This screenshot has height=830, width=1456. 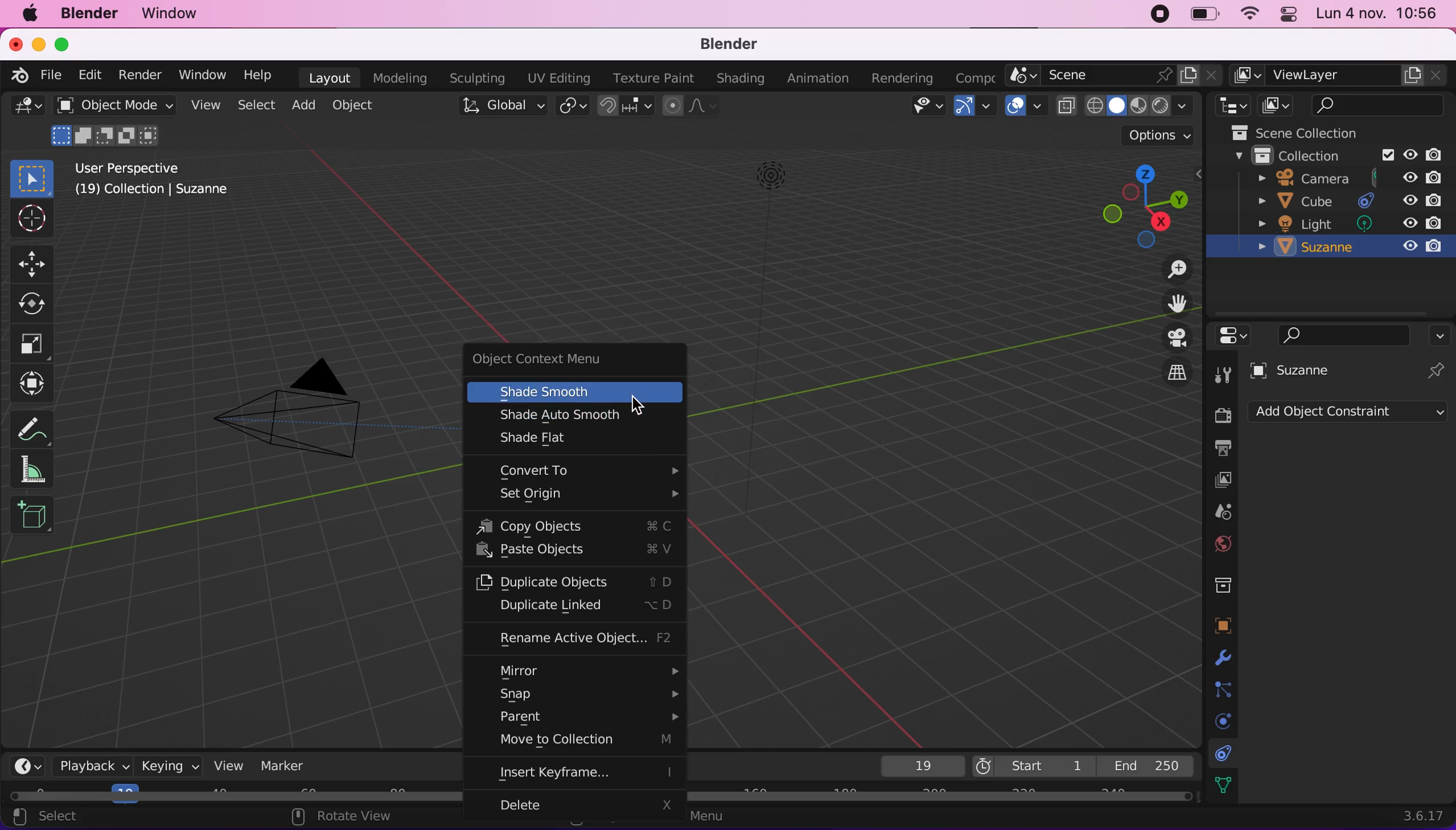 I want to click on object context menu, so click(x=573, y=359).